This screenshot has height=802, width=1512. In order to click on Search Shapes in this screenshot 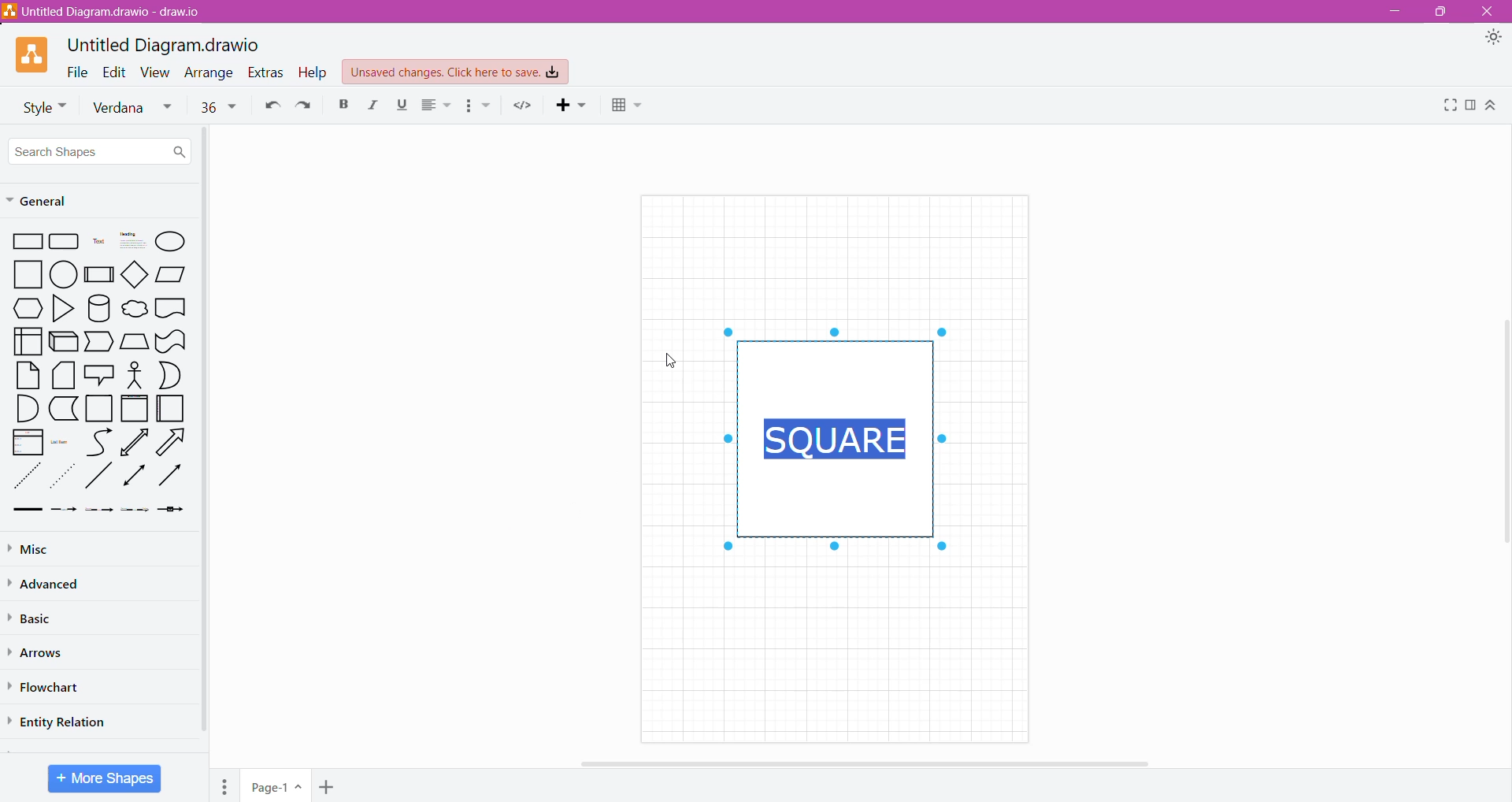, I will do `click(101, 150)`.